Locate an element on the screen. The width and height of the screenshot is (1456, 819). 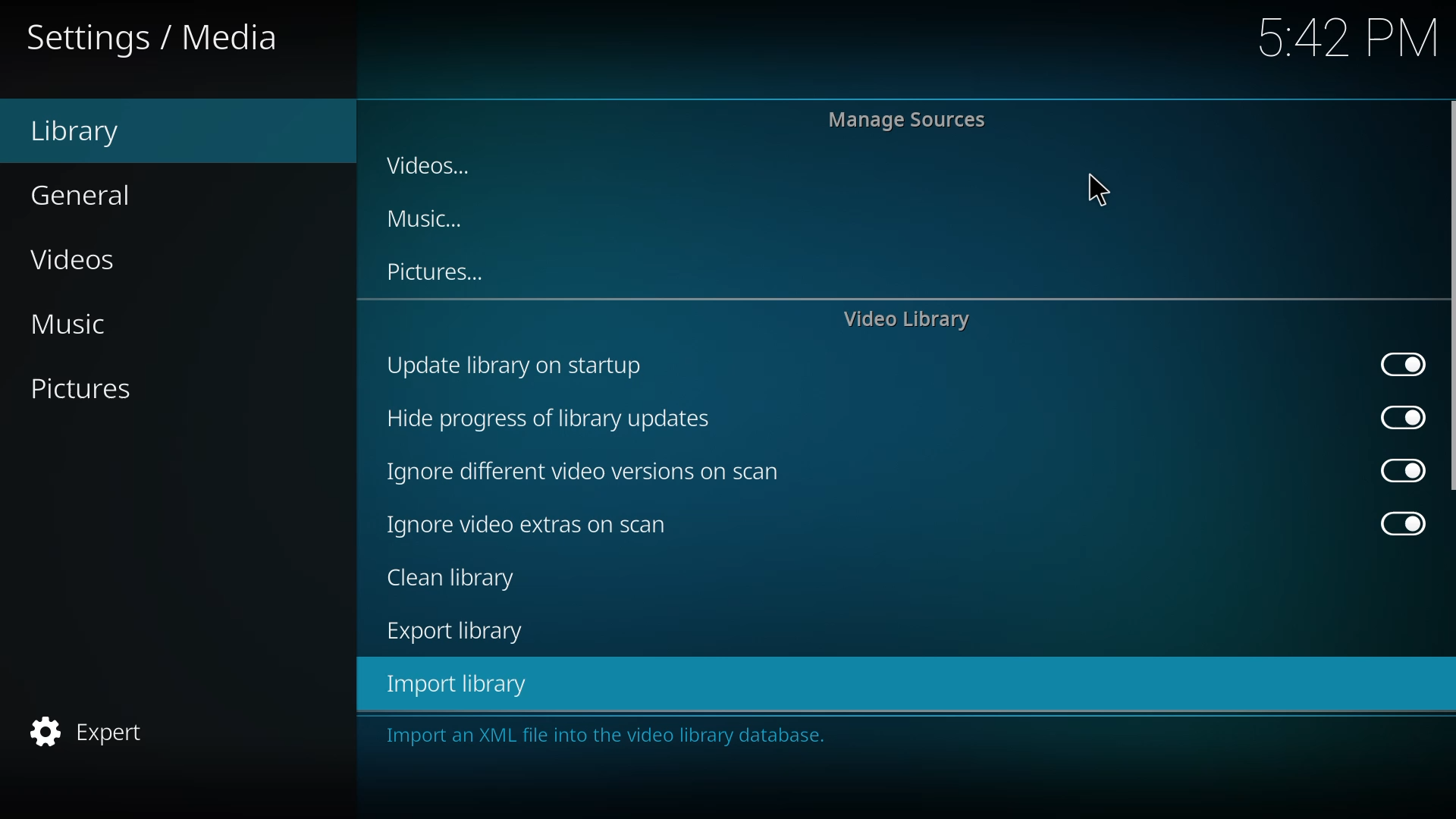
info is located at coordinates (612, 736).